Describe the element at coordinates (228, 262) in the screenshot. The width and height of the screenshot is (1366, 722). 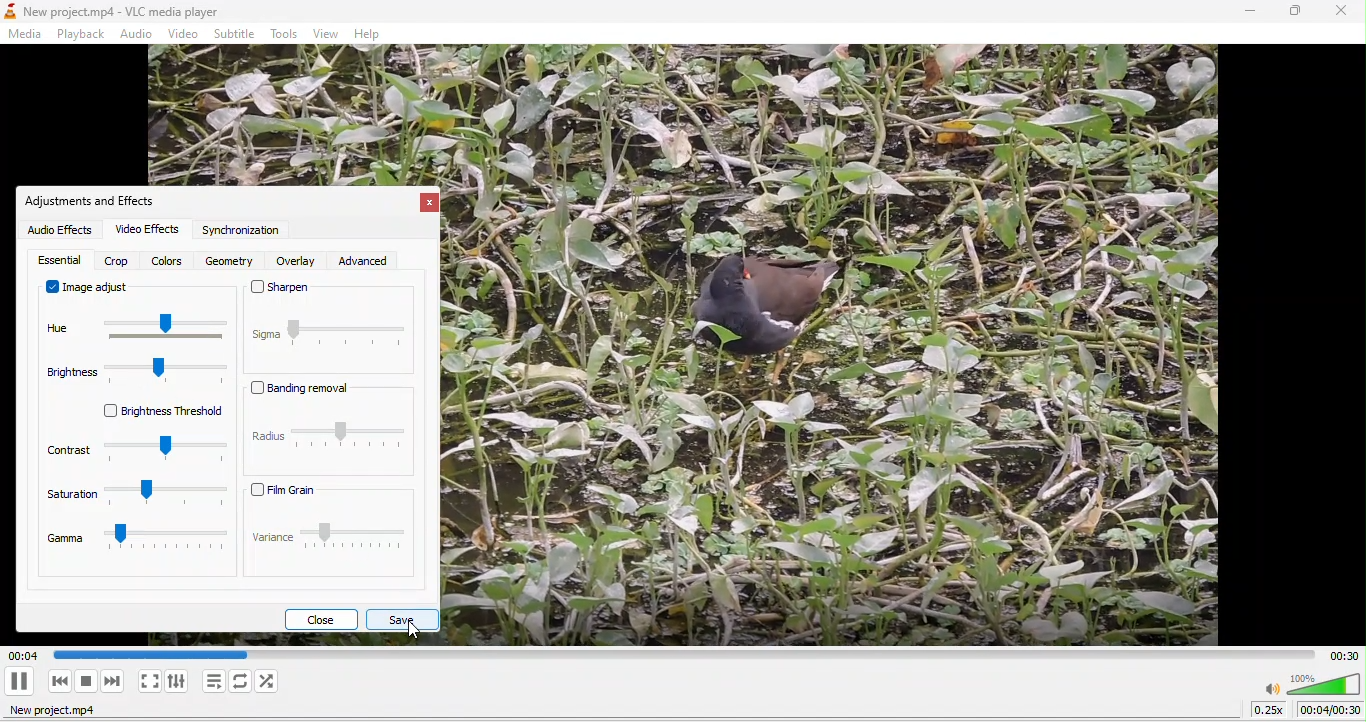
I see `geometry` at that location.